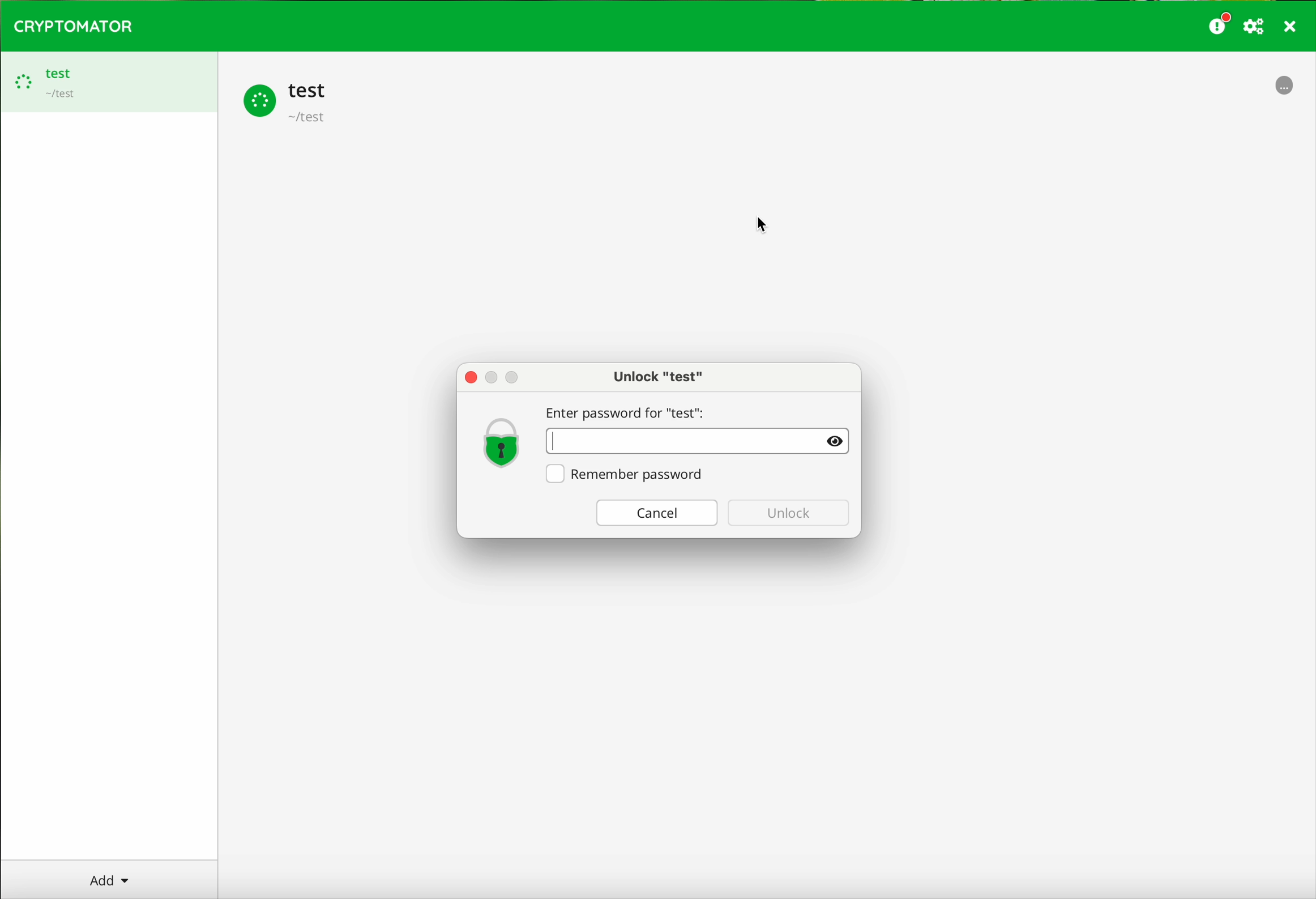 This screenshot has width=1316, height=899. I want to click on Unlock, so click(791, 513).